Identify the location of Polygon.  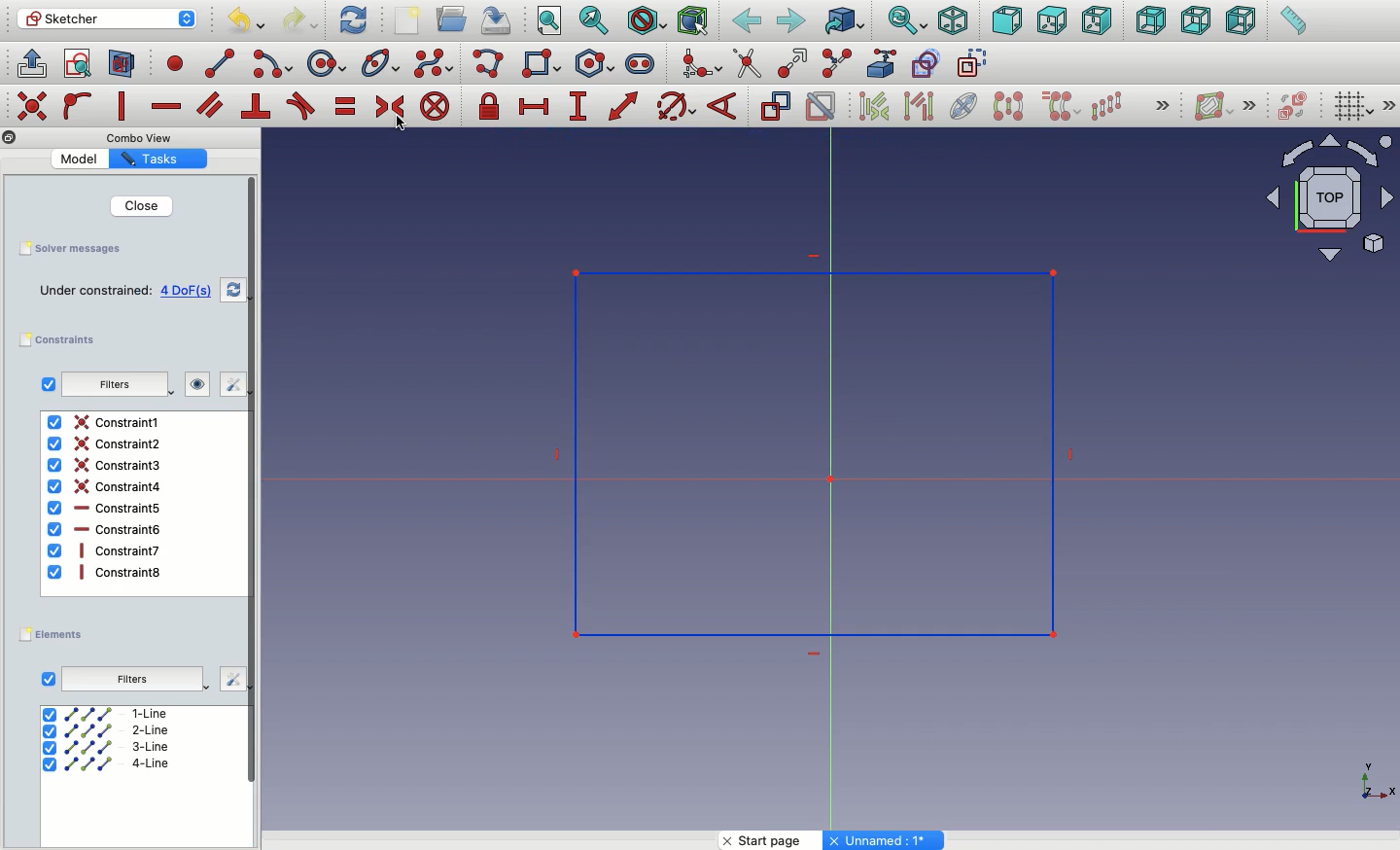
(598, 64).